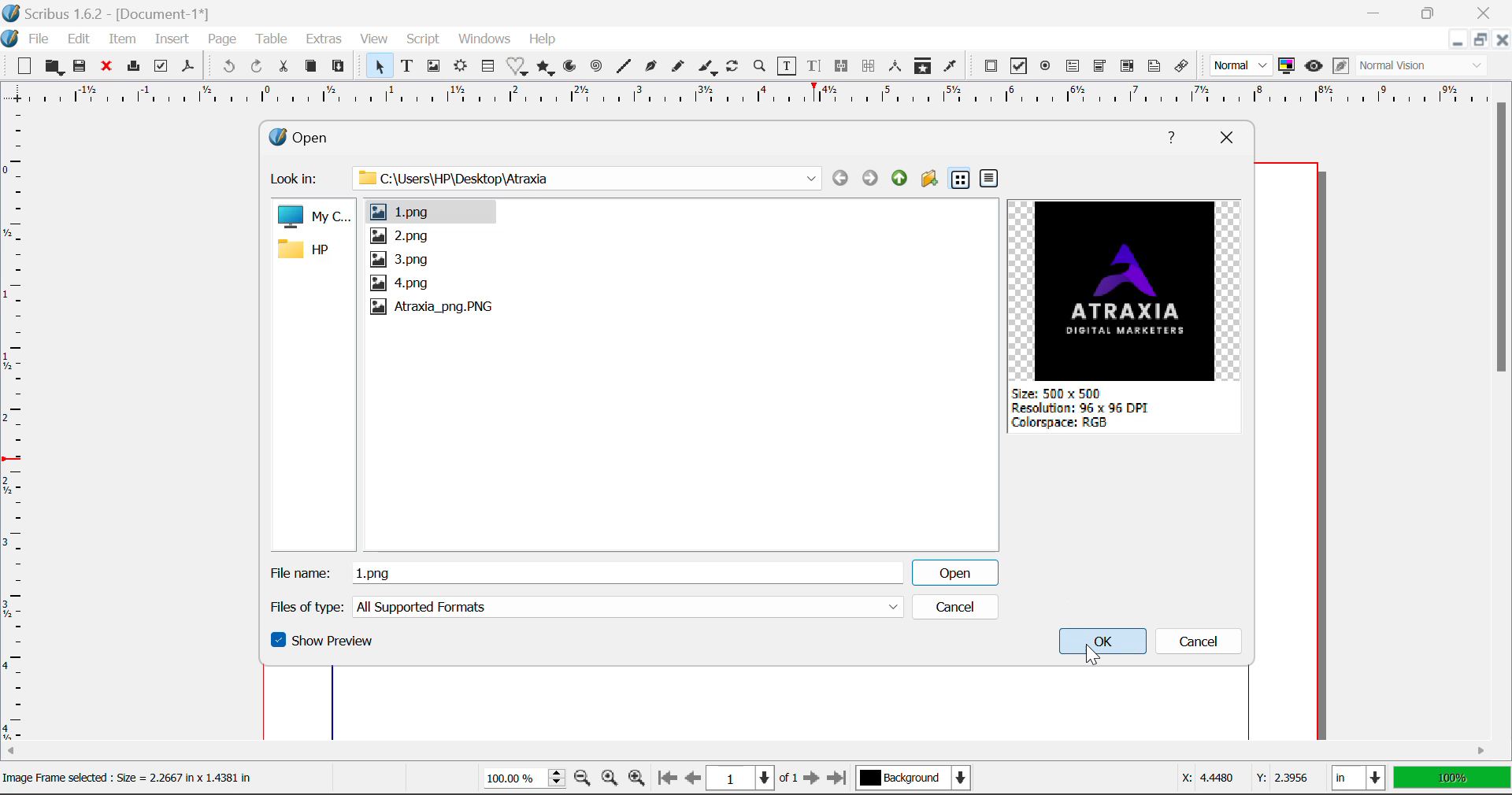 Image resolution: width=1512 pixels, height=795 pixels. I want to click on Calligraphic Curve, so click(708, 69).